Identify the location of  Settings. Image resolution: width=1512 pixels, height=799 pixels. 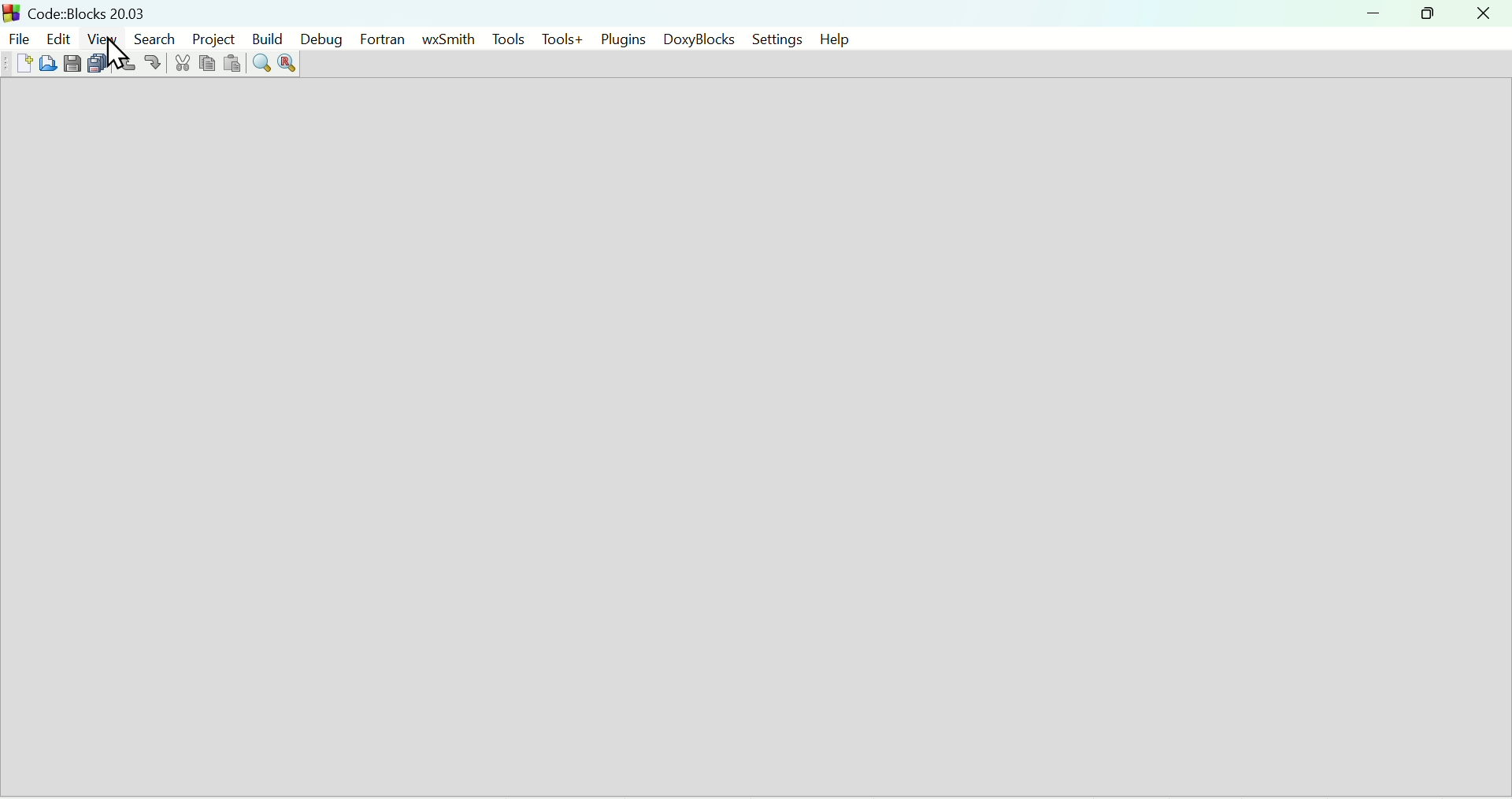
(770, 39).